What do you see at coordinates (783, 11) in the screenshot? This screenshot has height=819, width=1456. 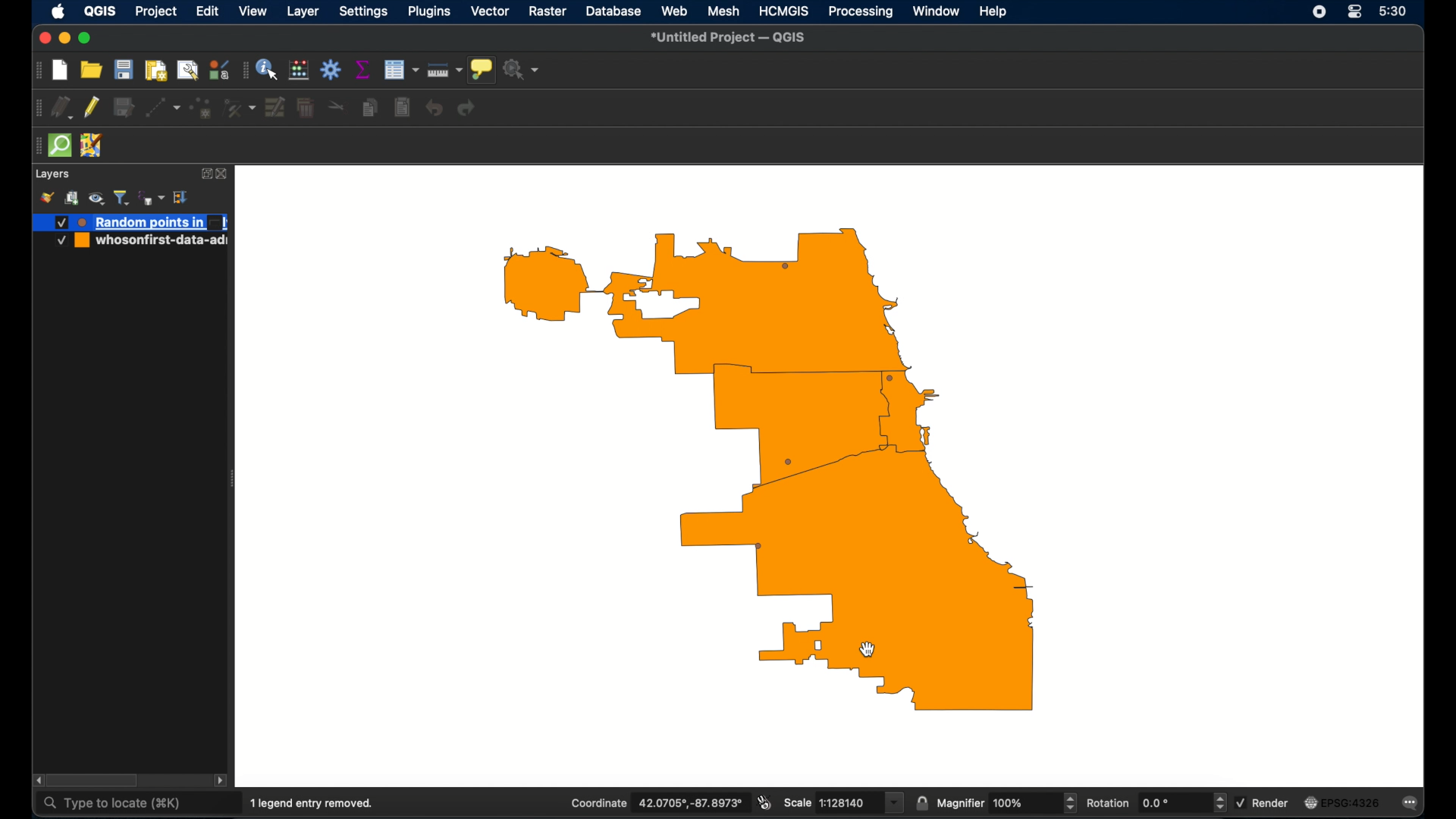 I see `HCMGIS` at bounding box center [783, 11].